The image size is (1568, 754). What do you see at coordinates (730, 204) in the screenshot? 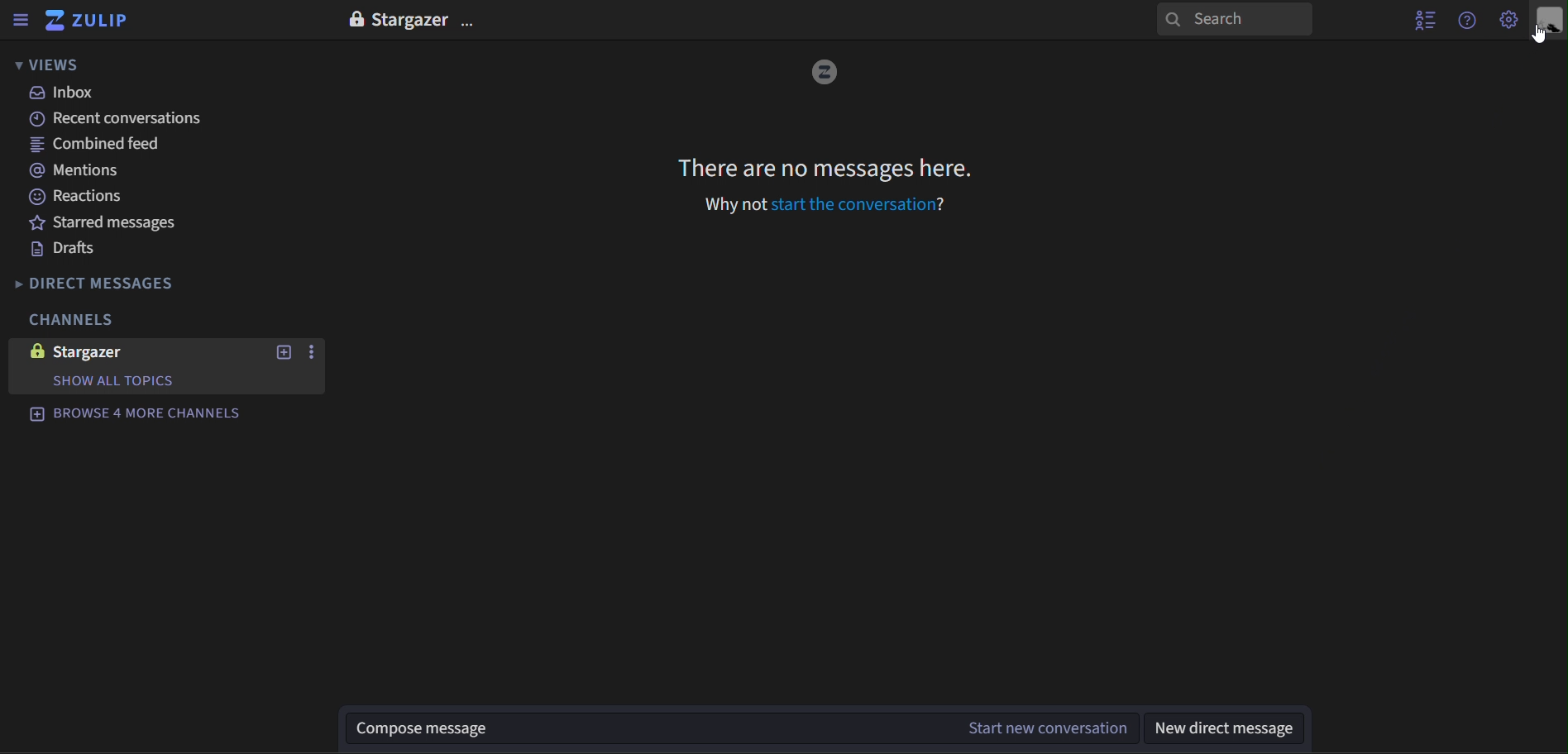
I see `why not` at bounding box center [730, 204].